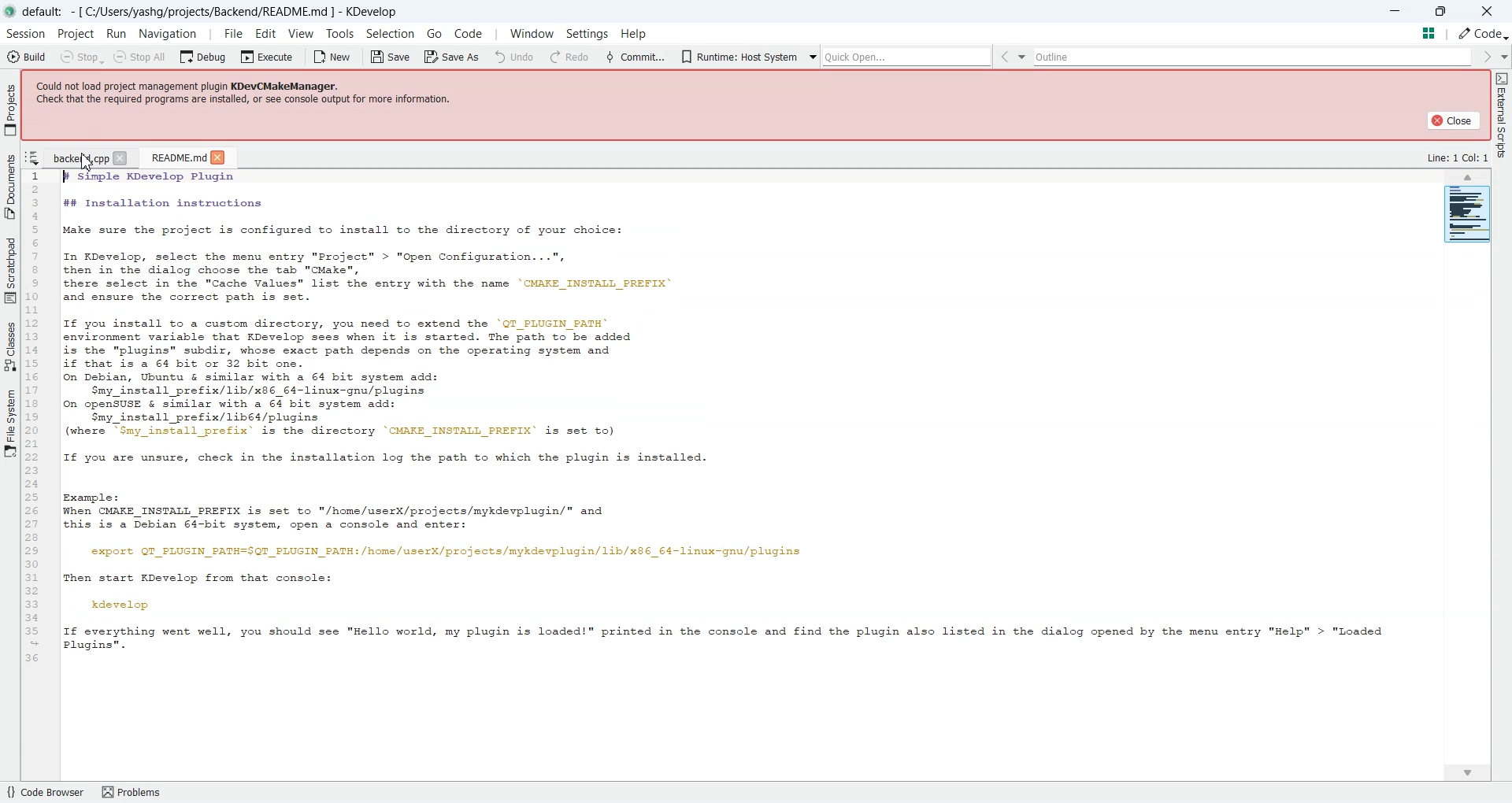  I want to click on Build, so click(25, 56).